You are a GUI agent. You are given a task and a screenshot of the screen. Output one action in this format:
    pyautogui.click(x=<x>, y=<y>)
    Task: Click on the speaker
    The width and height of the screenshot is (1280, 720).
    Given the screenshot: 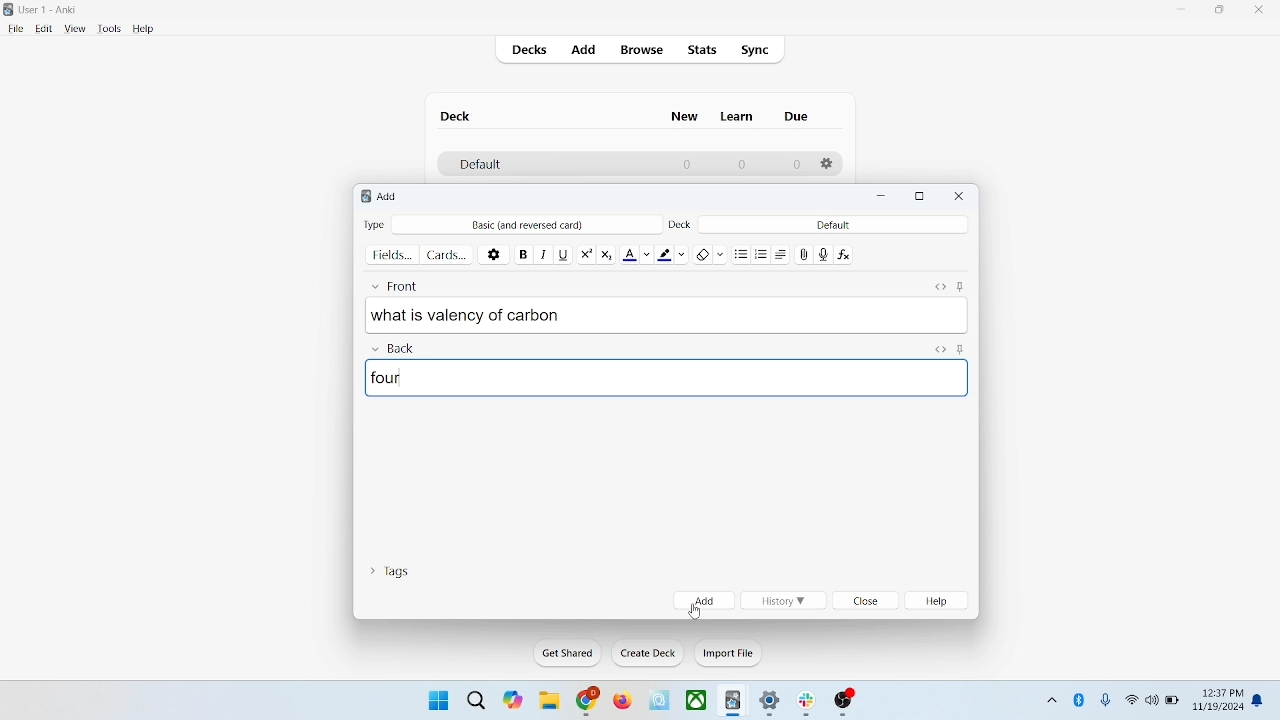 What is the action you would take?
    pyautogui.click(x=1152, y=699)
    